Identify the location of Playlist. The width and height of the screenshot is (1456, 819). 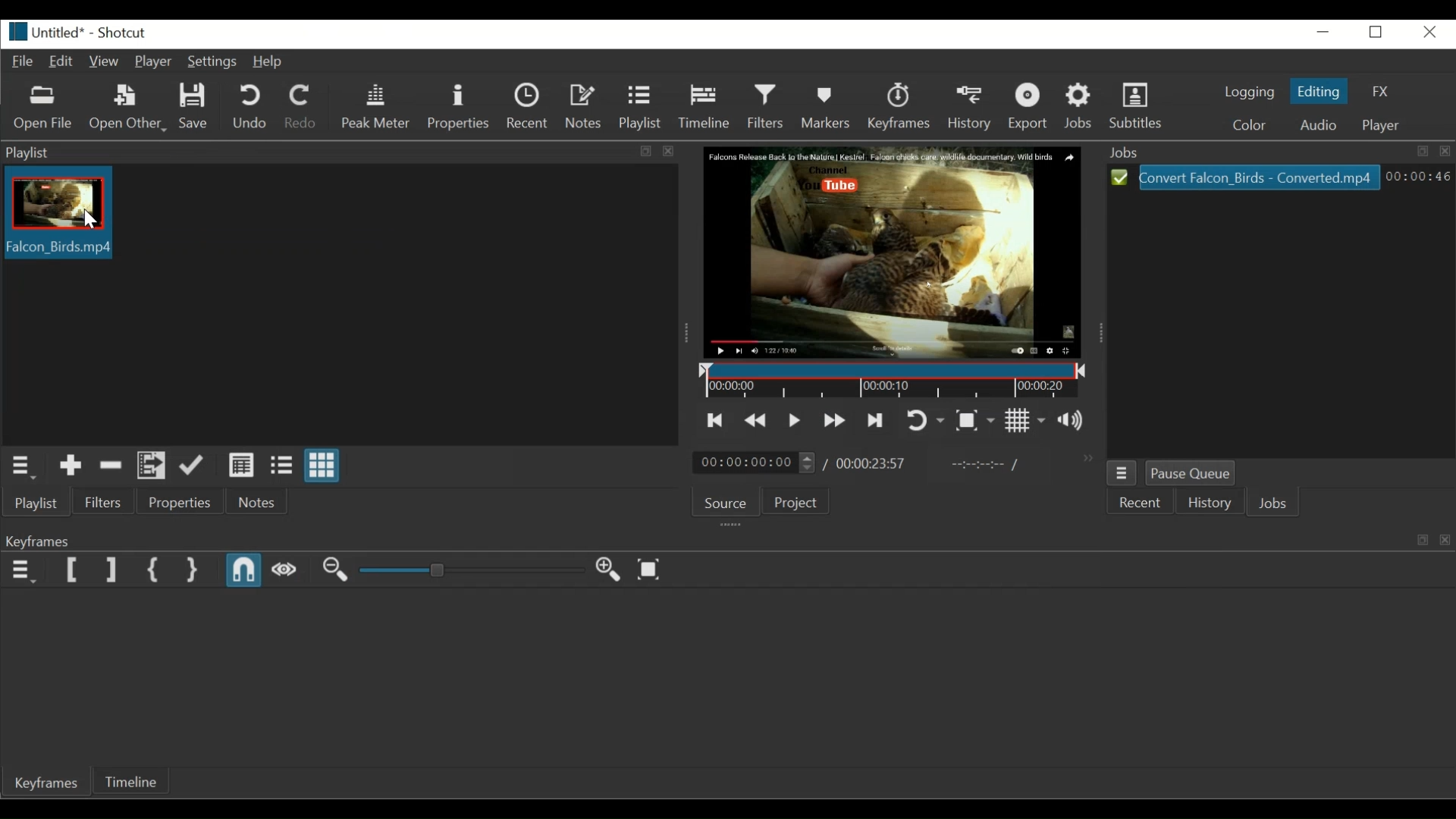
(33, 503).